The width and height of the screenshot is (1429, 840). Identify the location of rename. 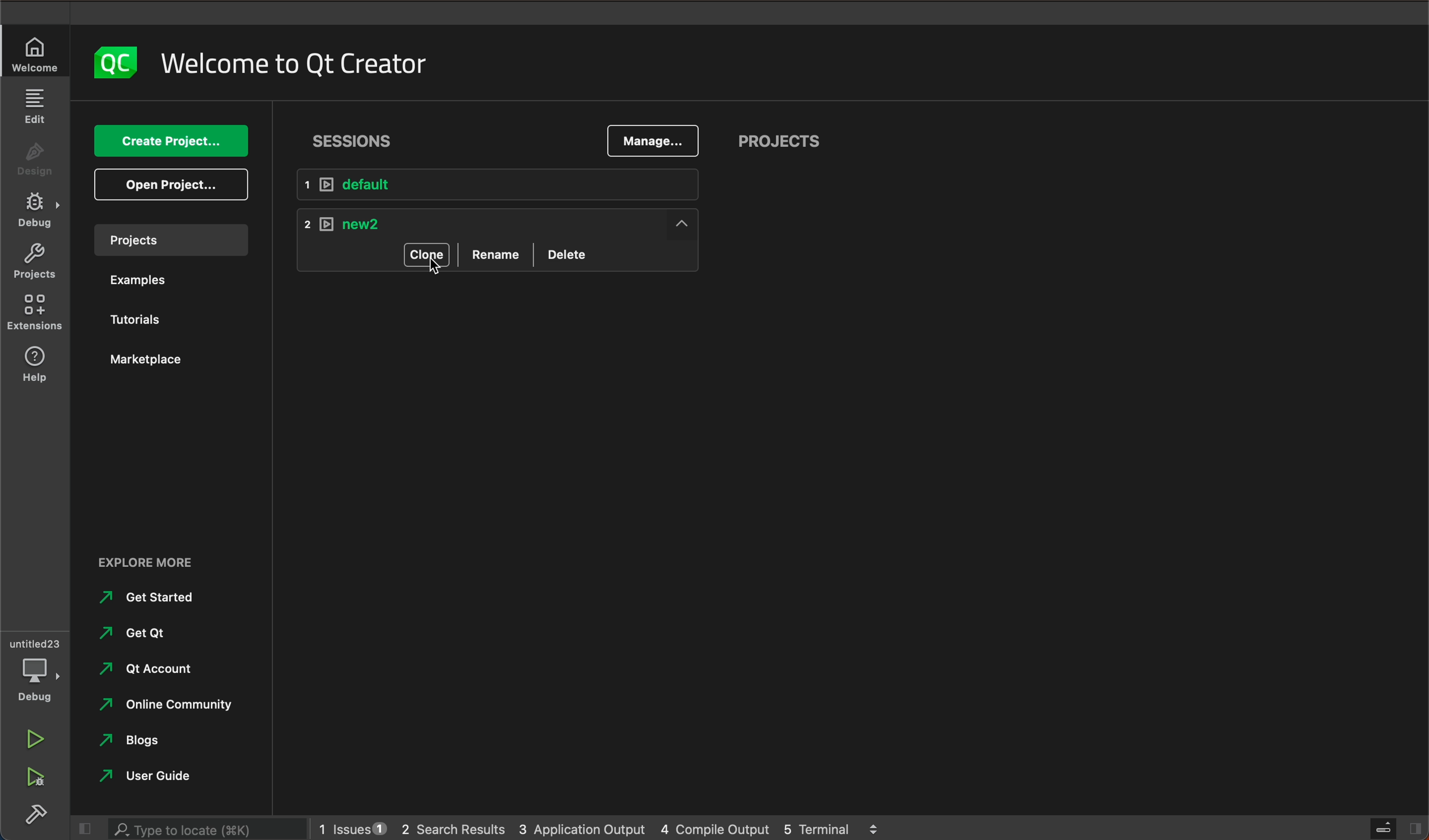
(497, 253).